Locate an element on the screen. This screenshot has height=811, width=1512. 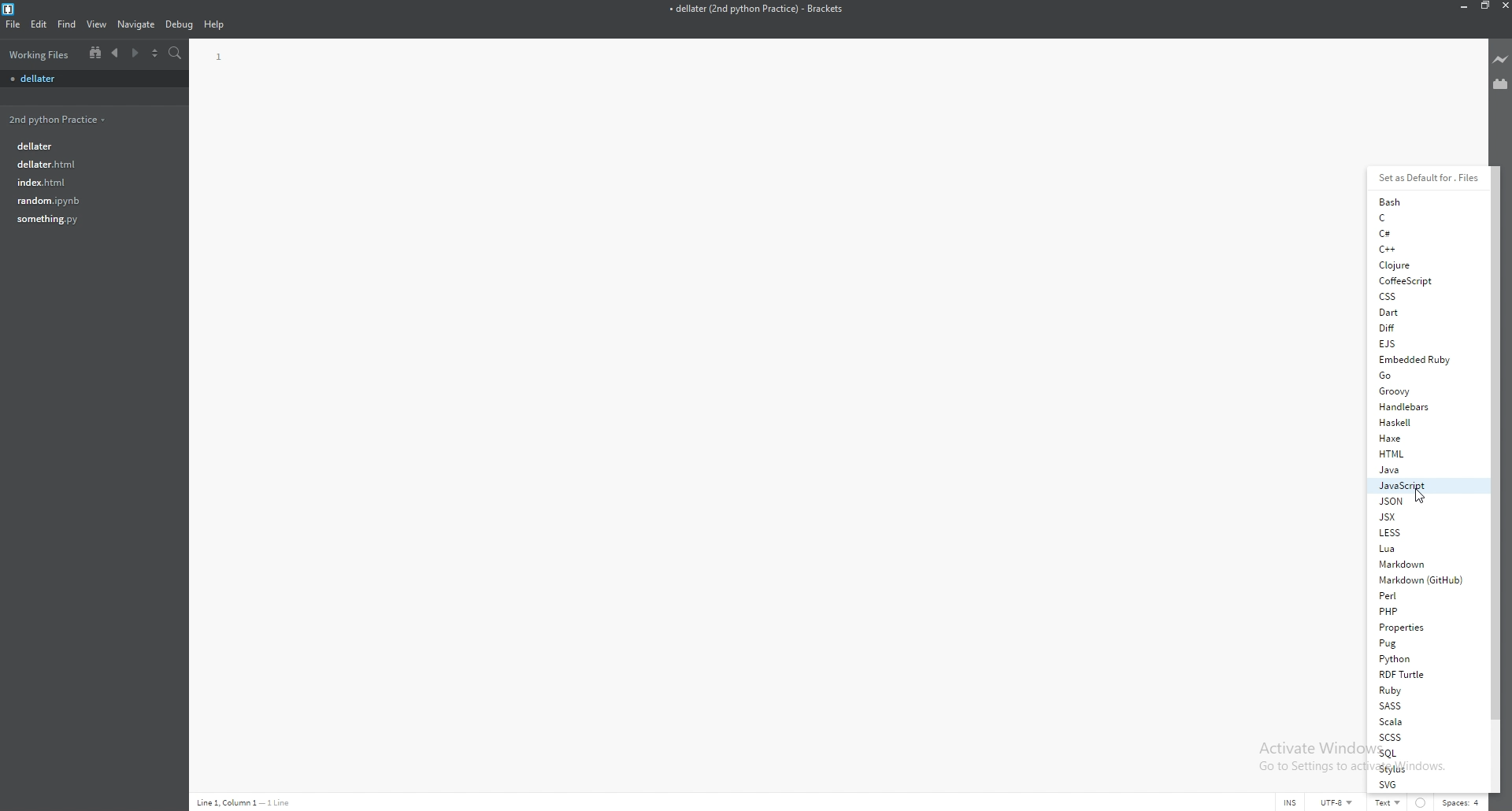
file is located at coordinates (13, 24).